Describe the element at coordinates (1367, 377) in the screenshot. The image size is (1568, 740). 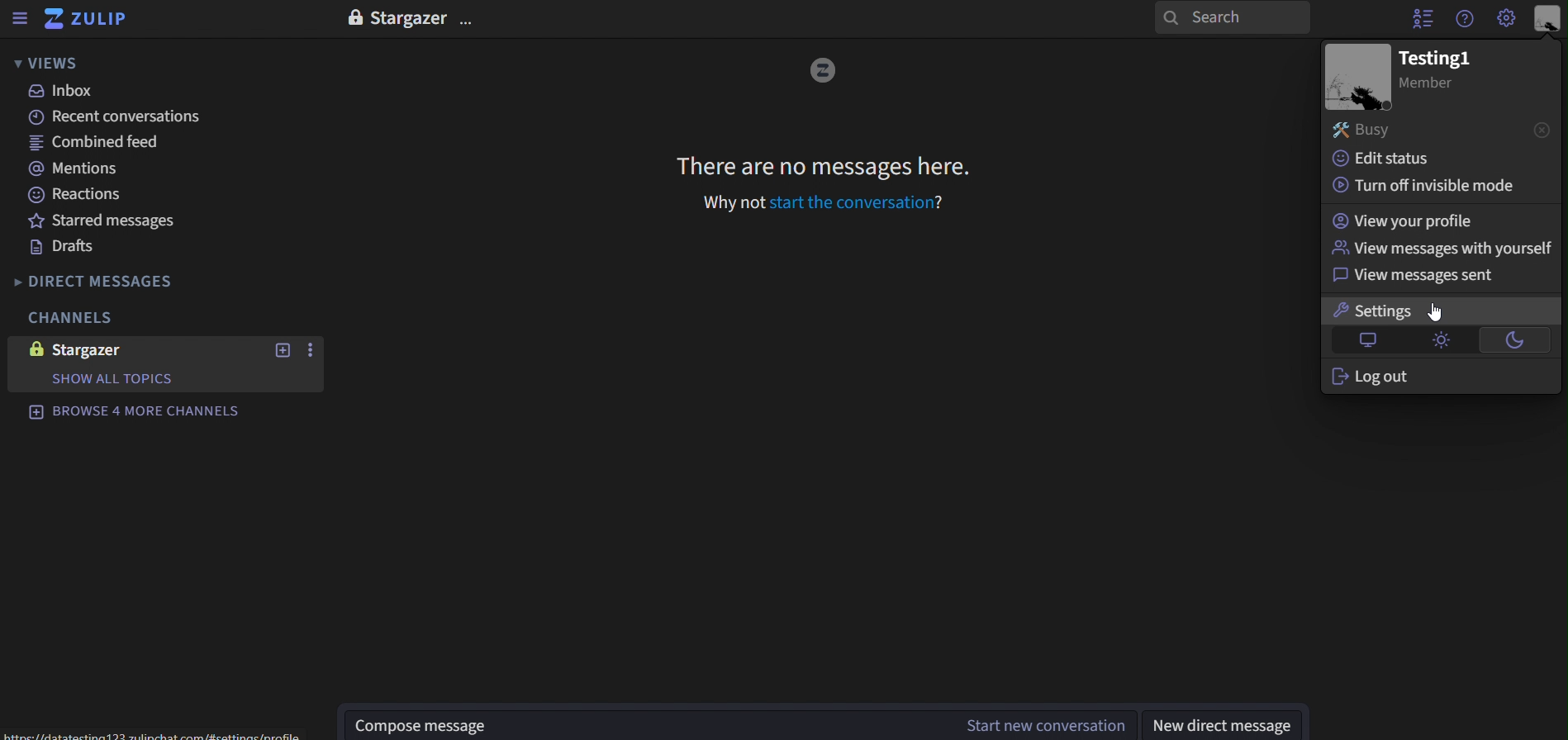
I see `log out` at that location.